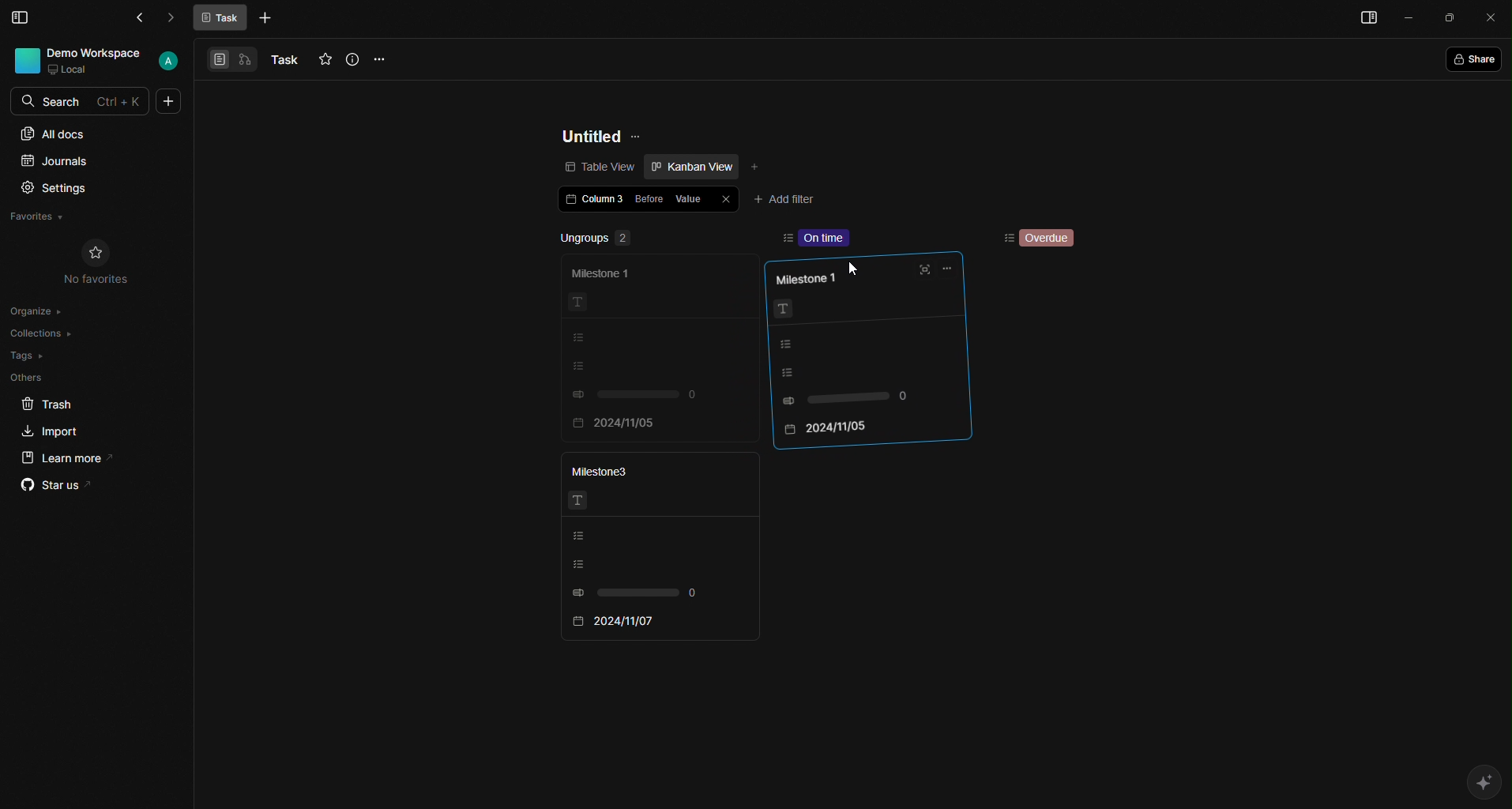  Describe the element at coordinates (624, 564) in the screenshot. I see `Listing` at that location.